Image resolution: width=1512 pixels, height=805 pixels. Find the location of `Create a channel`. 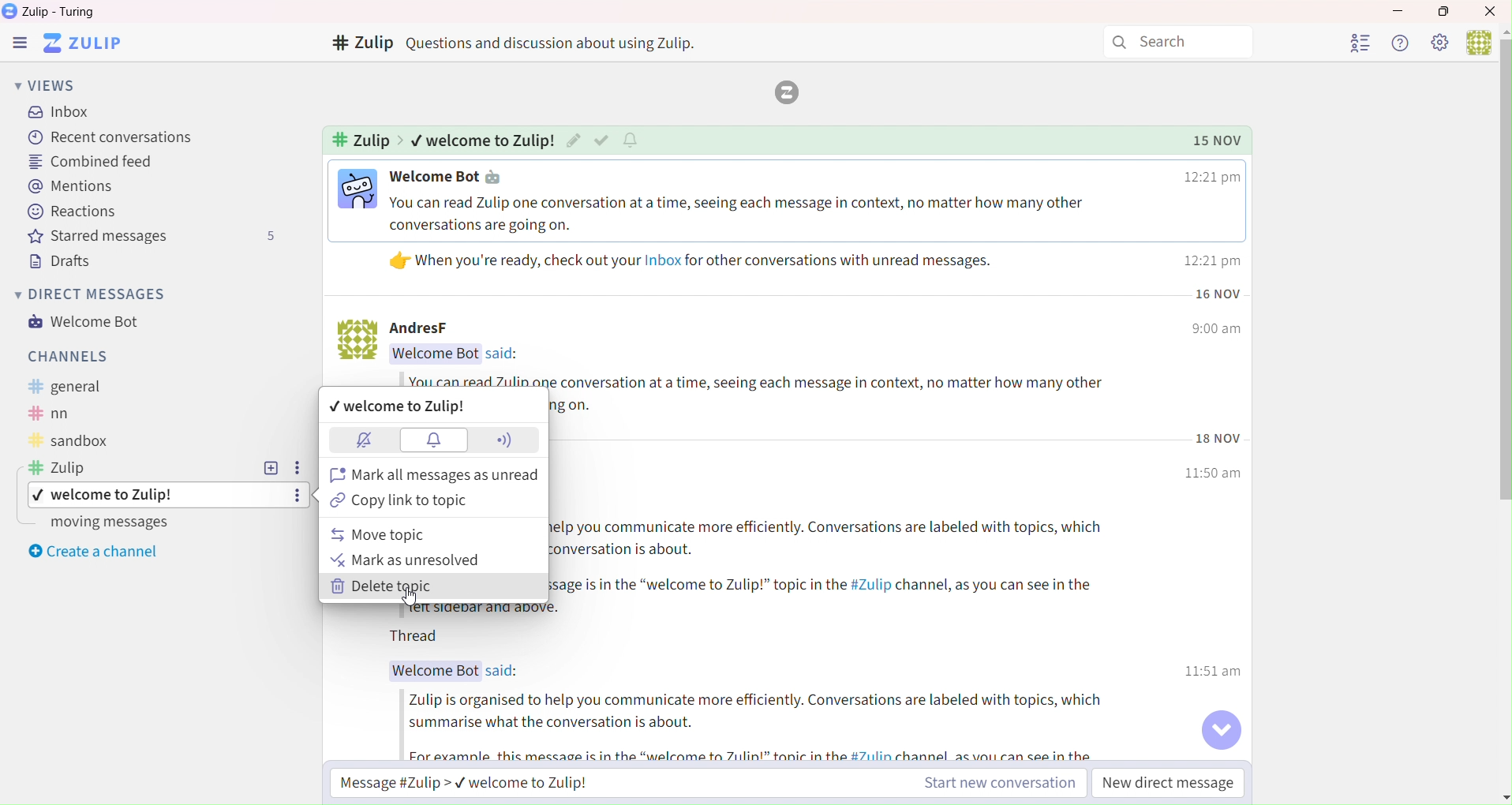

Create a channel is located at coordinates (92, 549).